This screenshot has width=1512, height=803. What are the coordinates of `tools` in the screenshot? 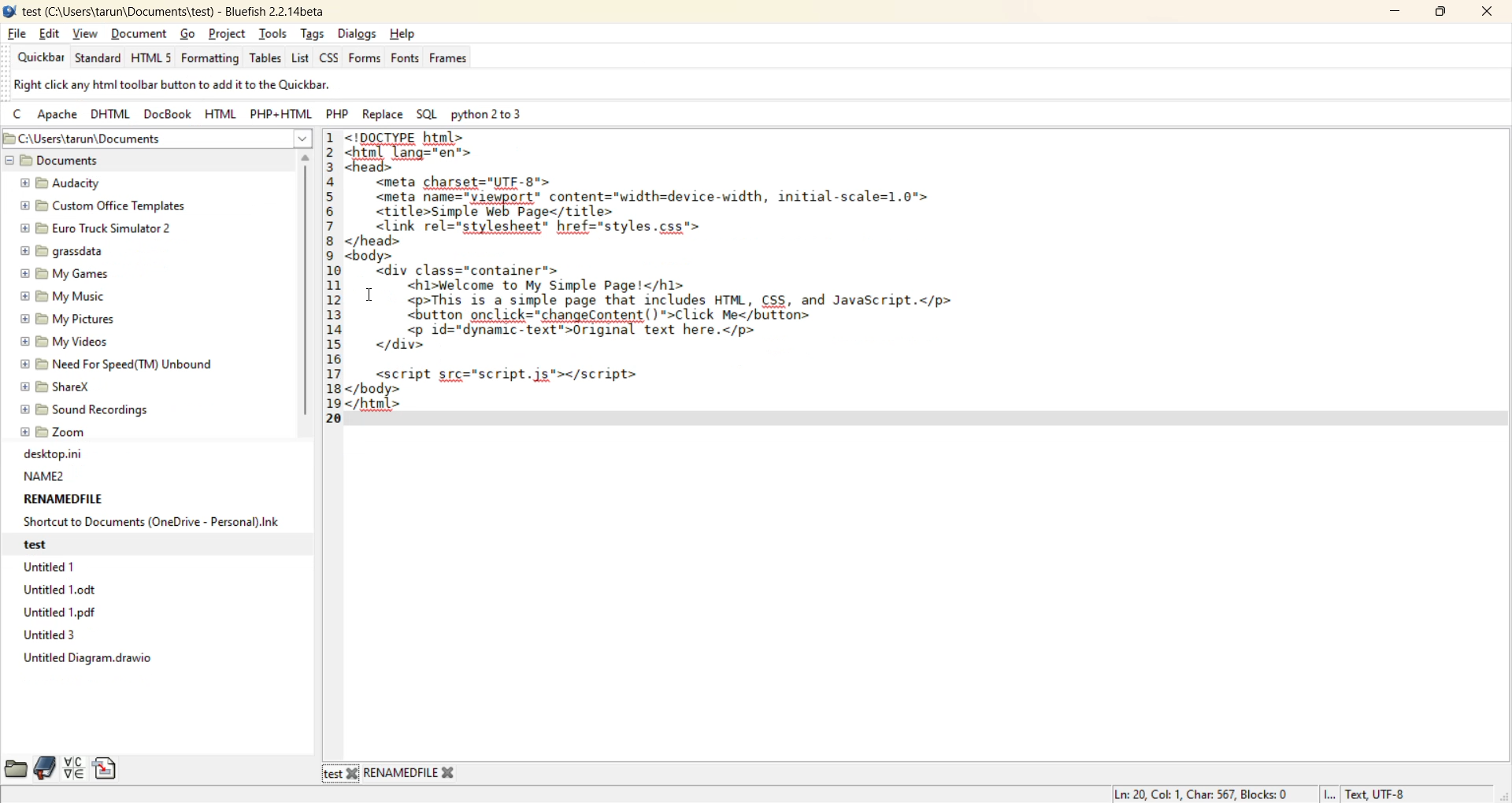 It's located at (275, 32).